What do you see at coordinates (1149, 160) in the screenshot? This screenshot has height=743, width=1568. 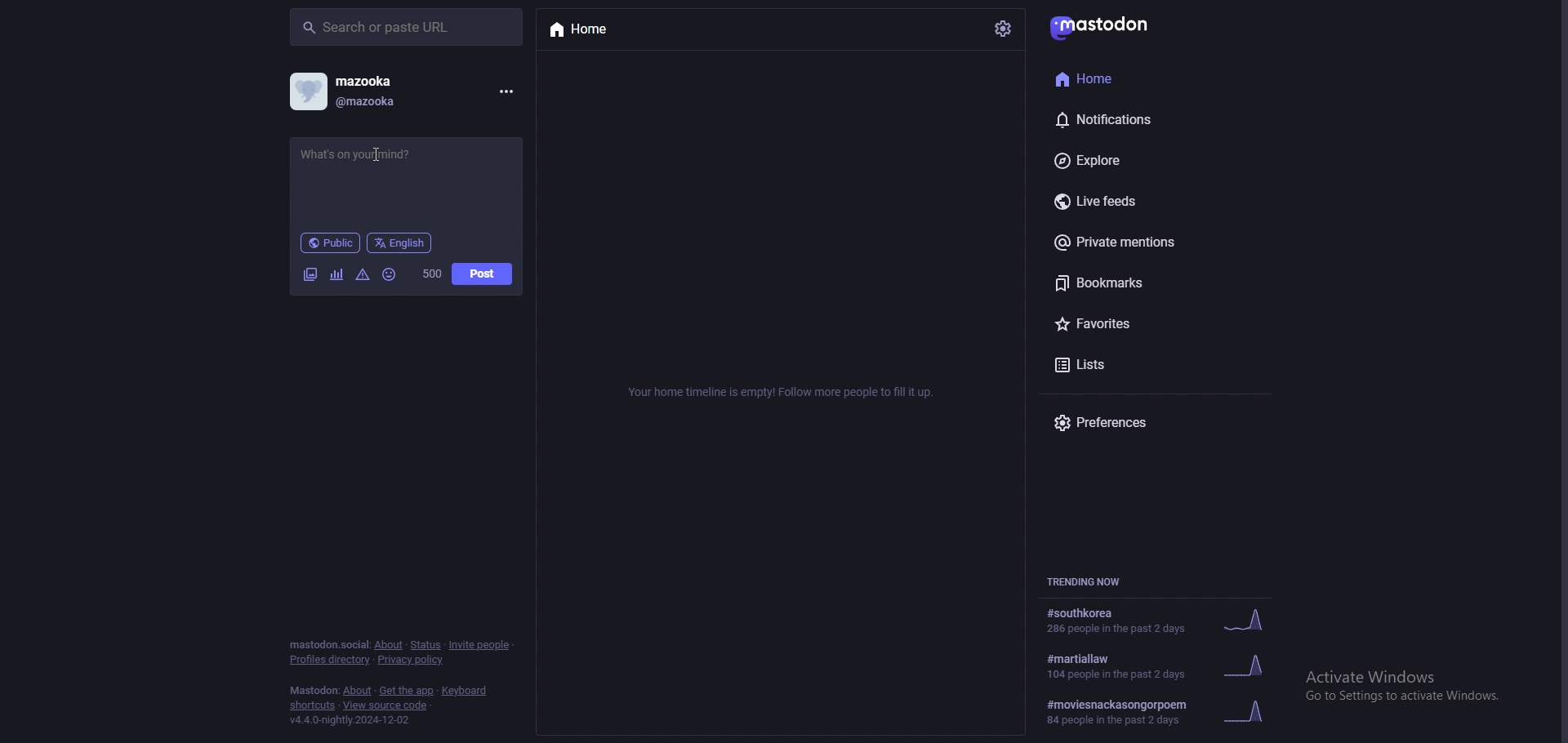 I see `explore` at bounding box center [1149, 160].